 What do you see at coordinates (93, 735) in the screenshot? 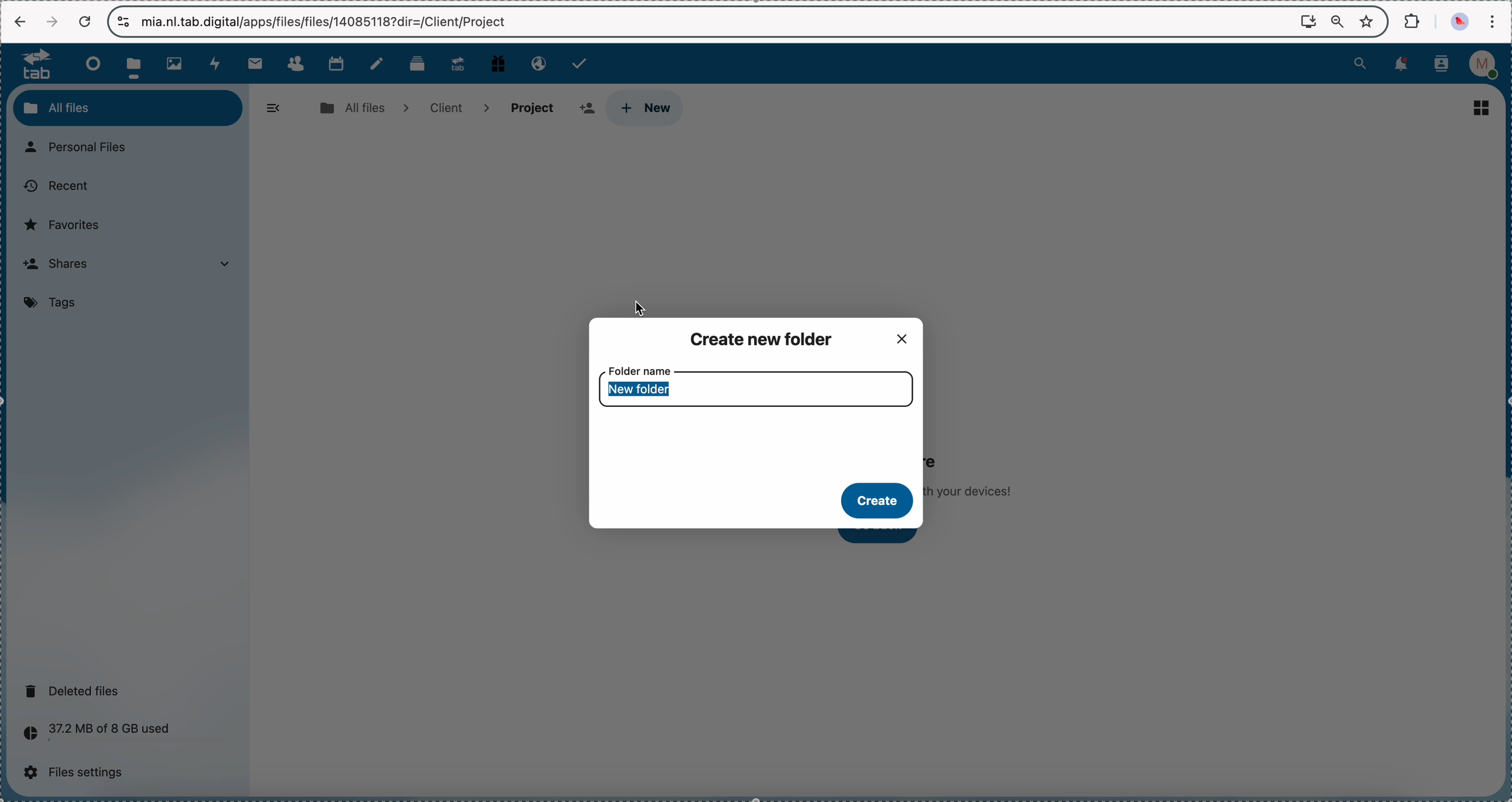
I see `37.2 MB of 8 GB` at bounding box center [93, 735].